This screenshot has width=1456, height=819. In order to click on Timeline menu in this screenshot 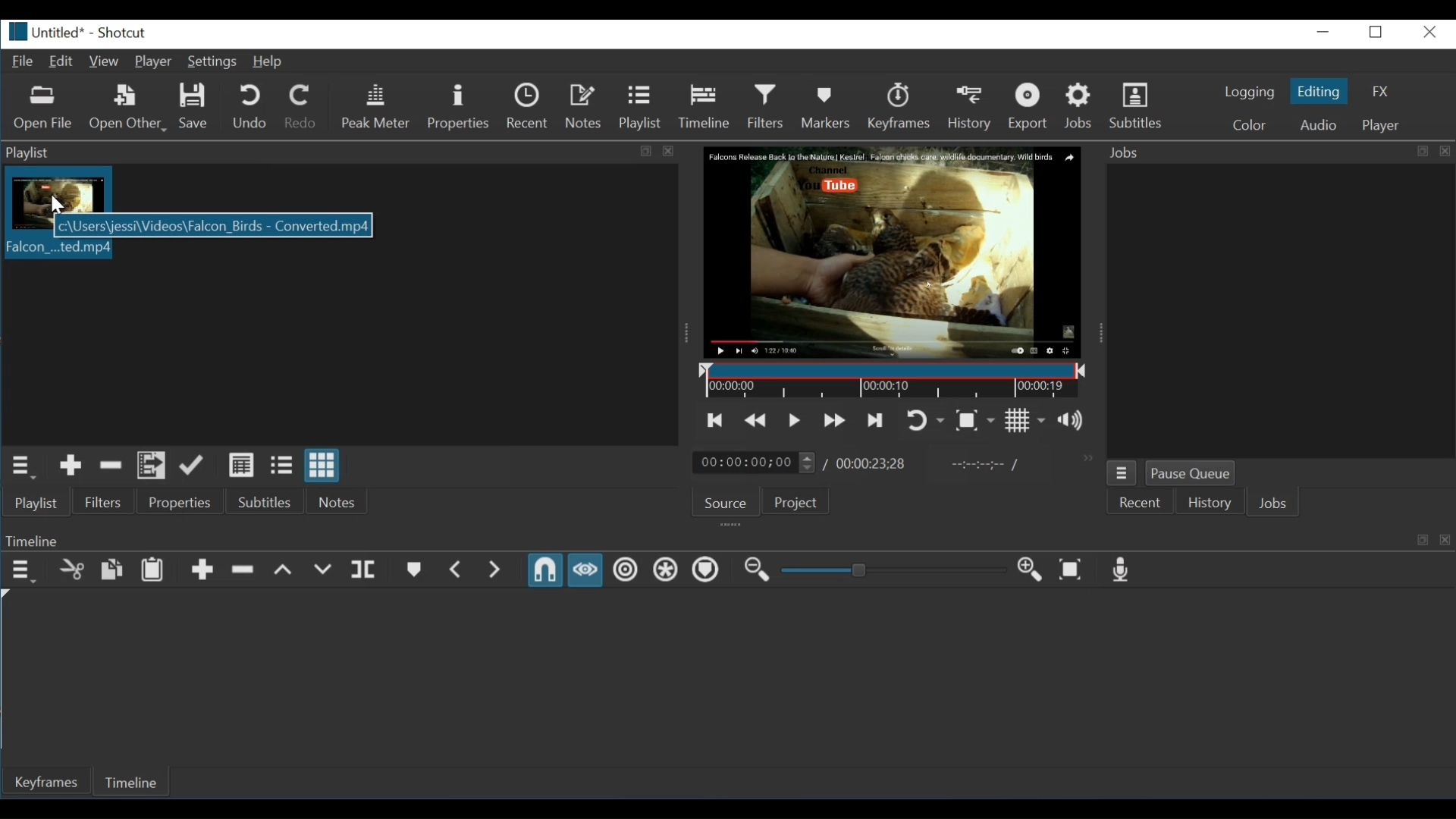, I will do `click(24, 571)`.